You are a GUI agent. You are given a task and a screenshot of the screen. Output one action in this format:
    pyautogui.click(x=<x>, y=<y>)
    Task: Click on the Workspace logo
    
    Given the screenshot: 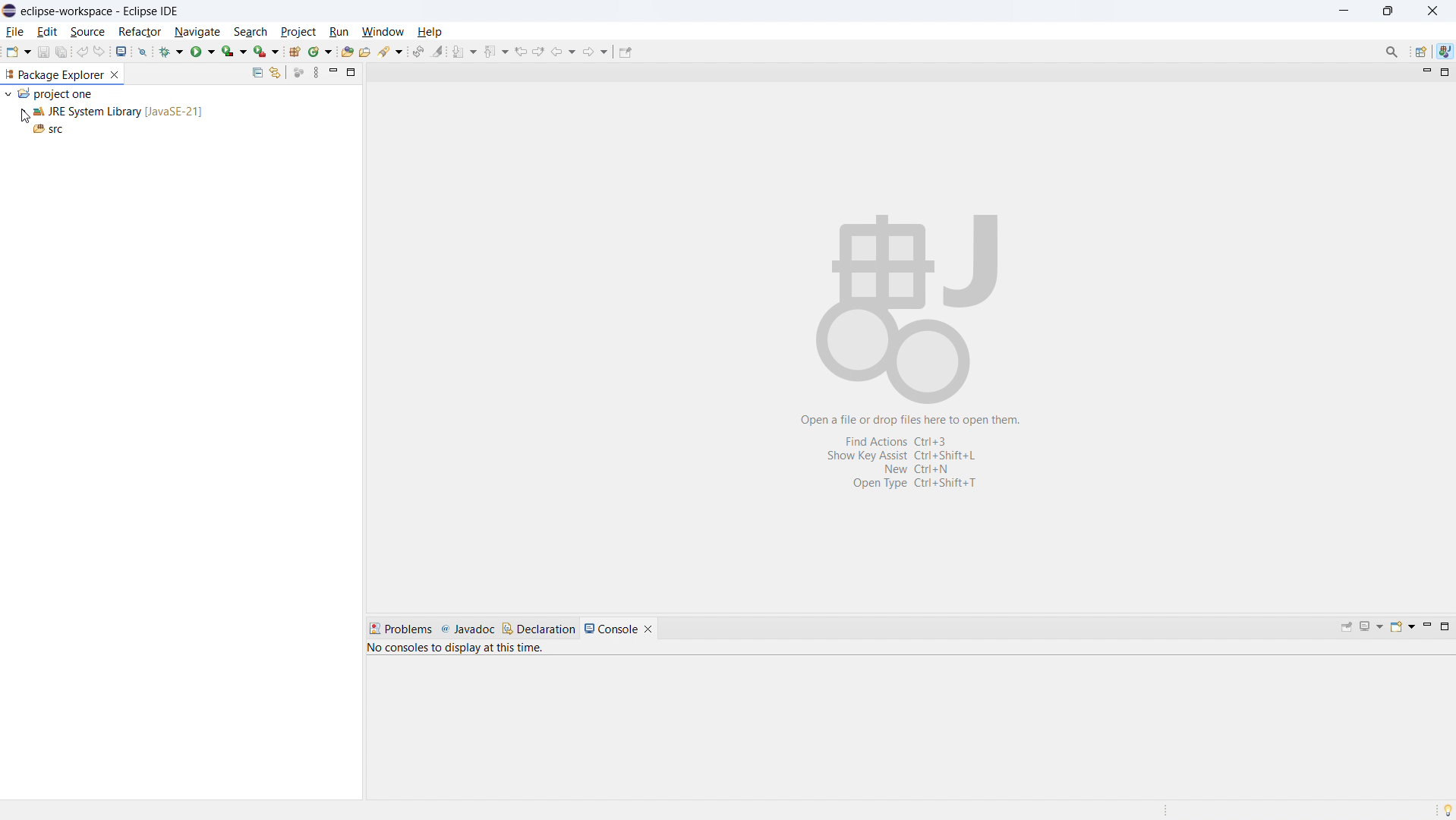 What is the action you would take?
    pyautogui.click(x=909, y=304)
    